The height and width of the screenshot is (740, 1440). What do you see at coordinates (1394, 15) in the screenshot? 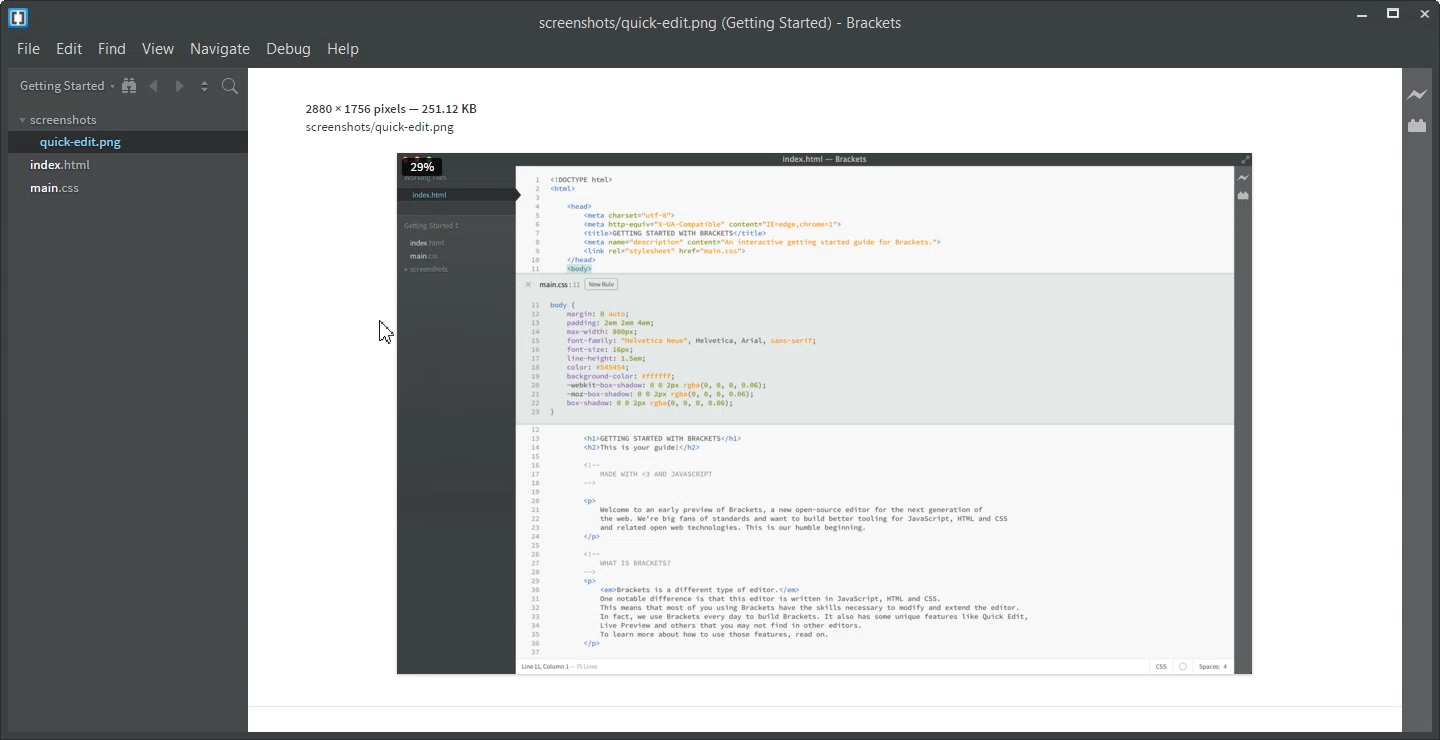
I see `Maximize` at bounding box center [1394, 15].